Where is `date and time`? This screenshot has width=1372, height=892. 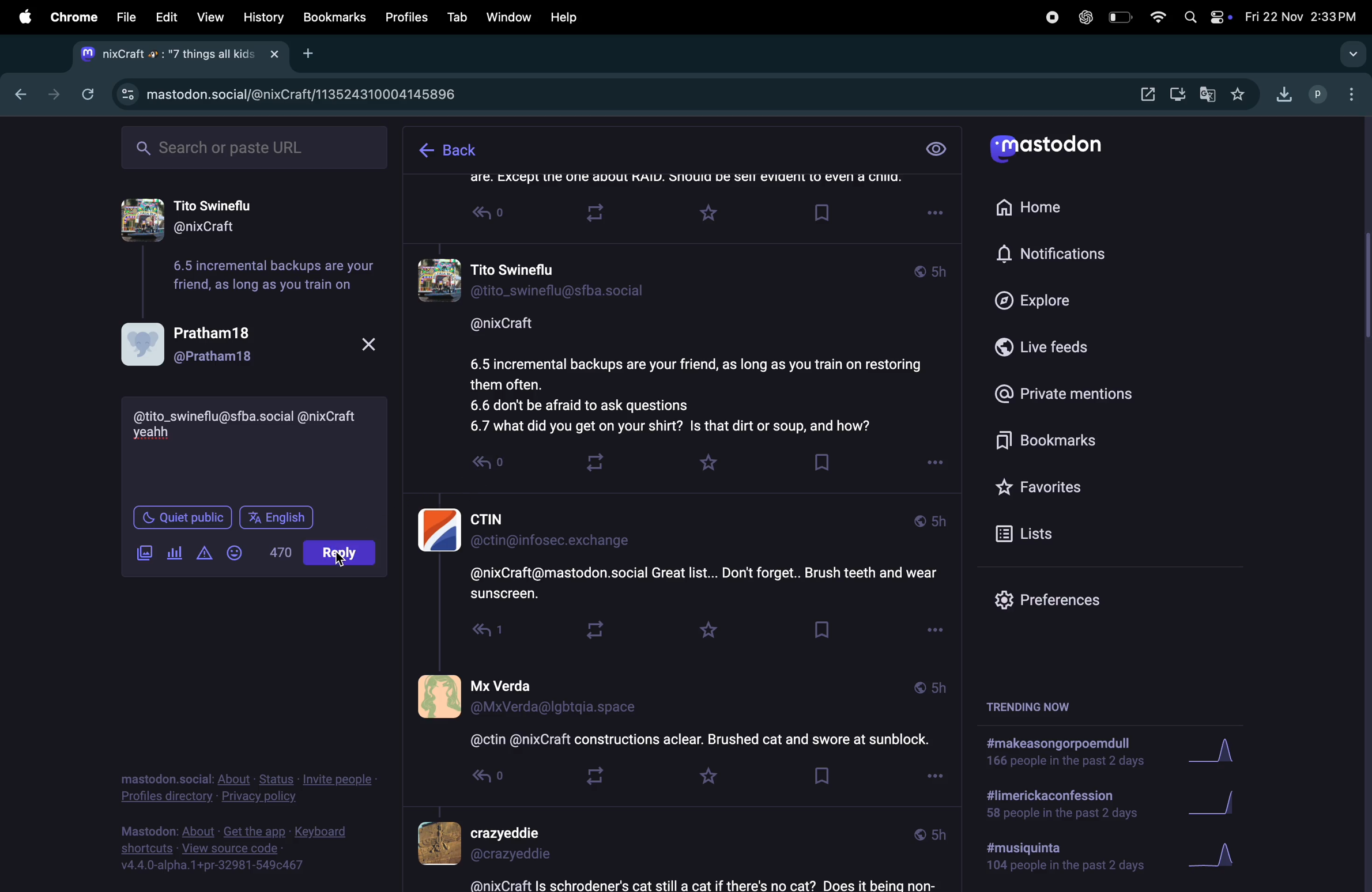
date and time is located at coordinates (1304, 14).